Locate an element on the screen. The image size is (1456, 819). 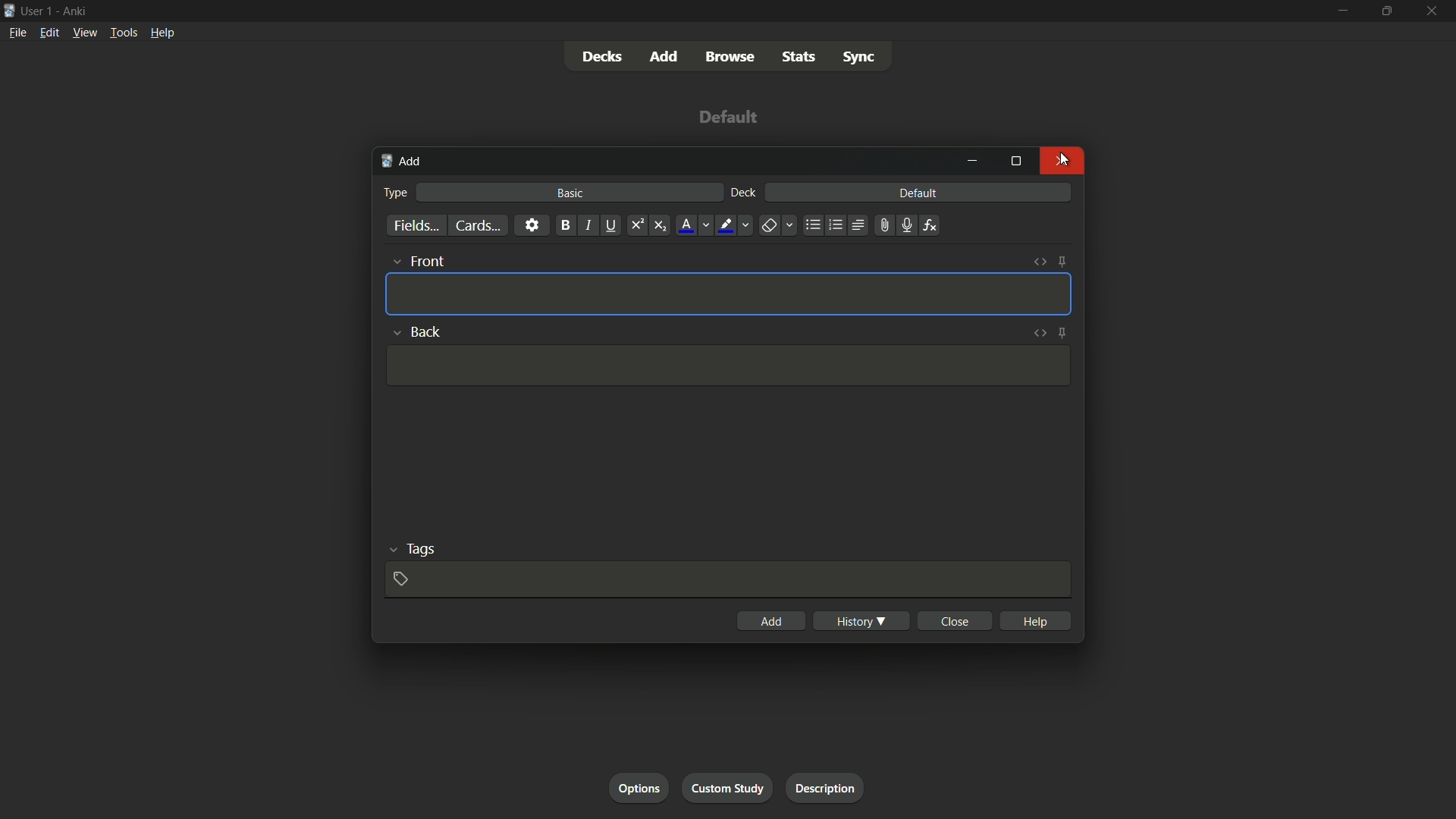
Template is located at coordinates (729, 293).